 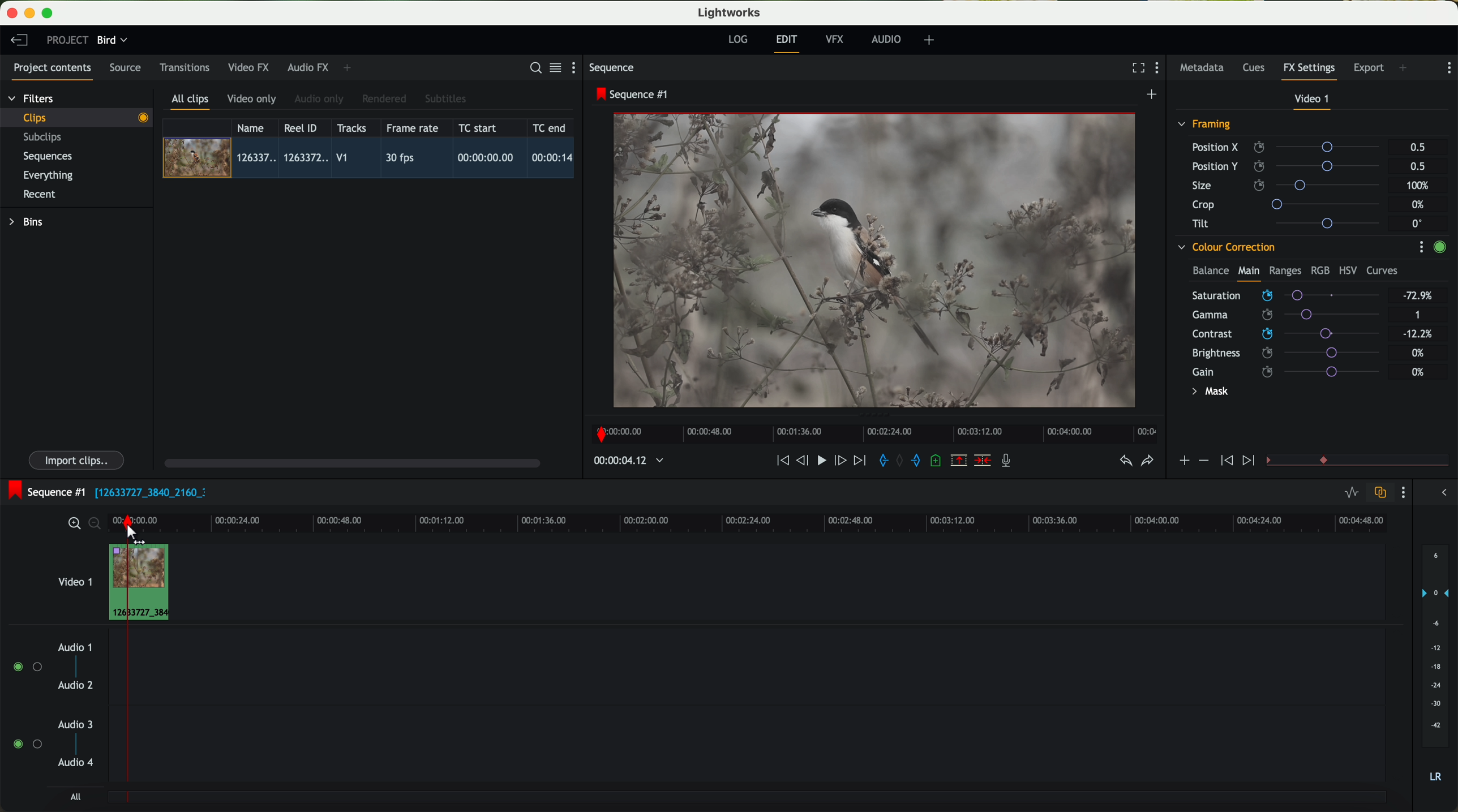 What do you see at coordinates (255, 128) in the screenshot?
I see `name` at bounding box center [255, 128].